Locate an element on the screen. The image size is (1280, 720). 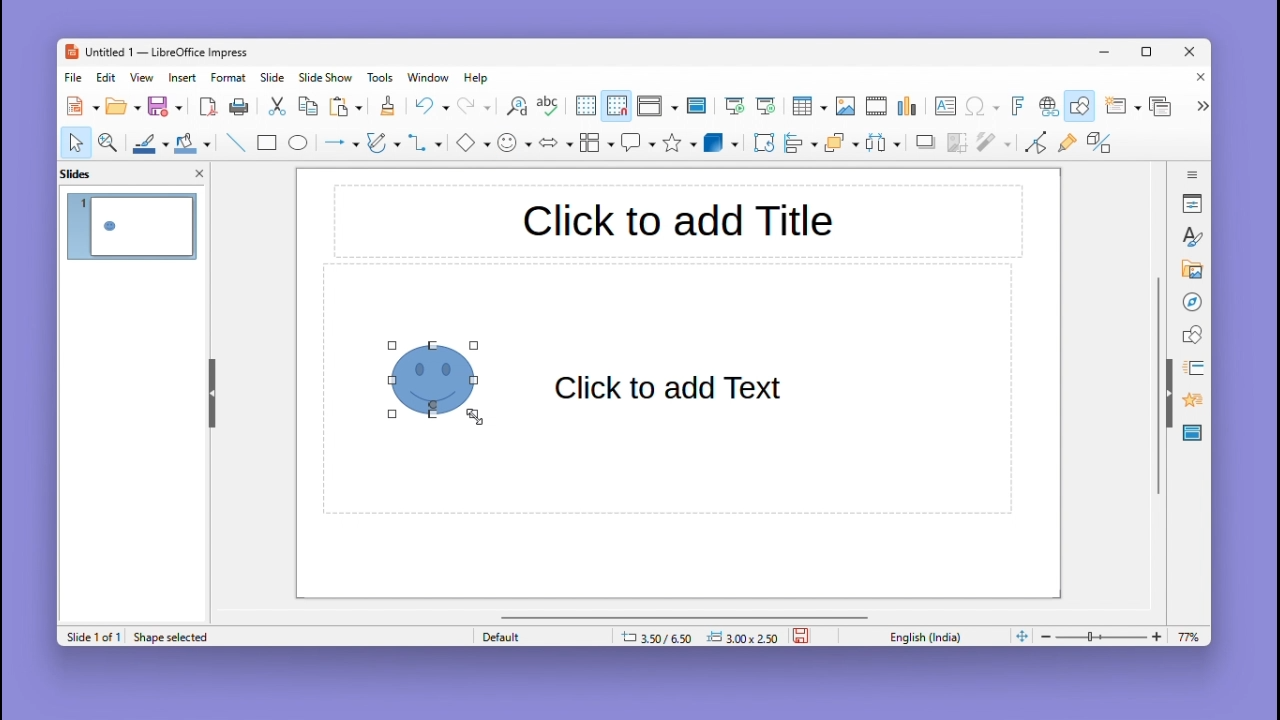
Masters slide is located at coordinates (1193, 434).